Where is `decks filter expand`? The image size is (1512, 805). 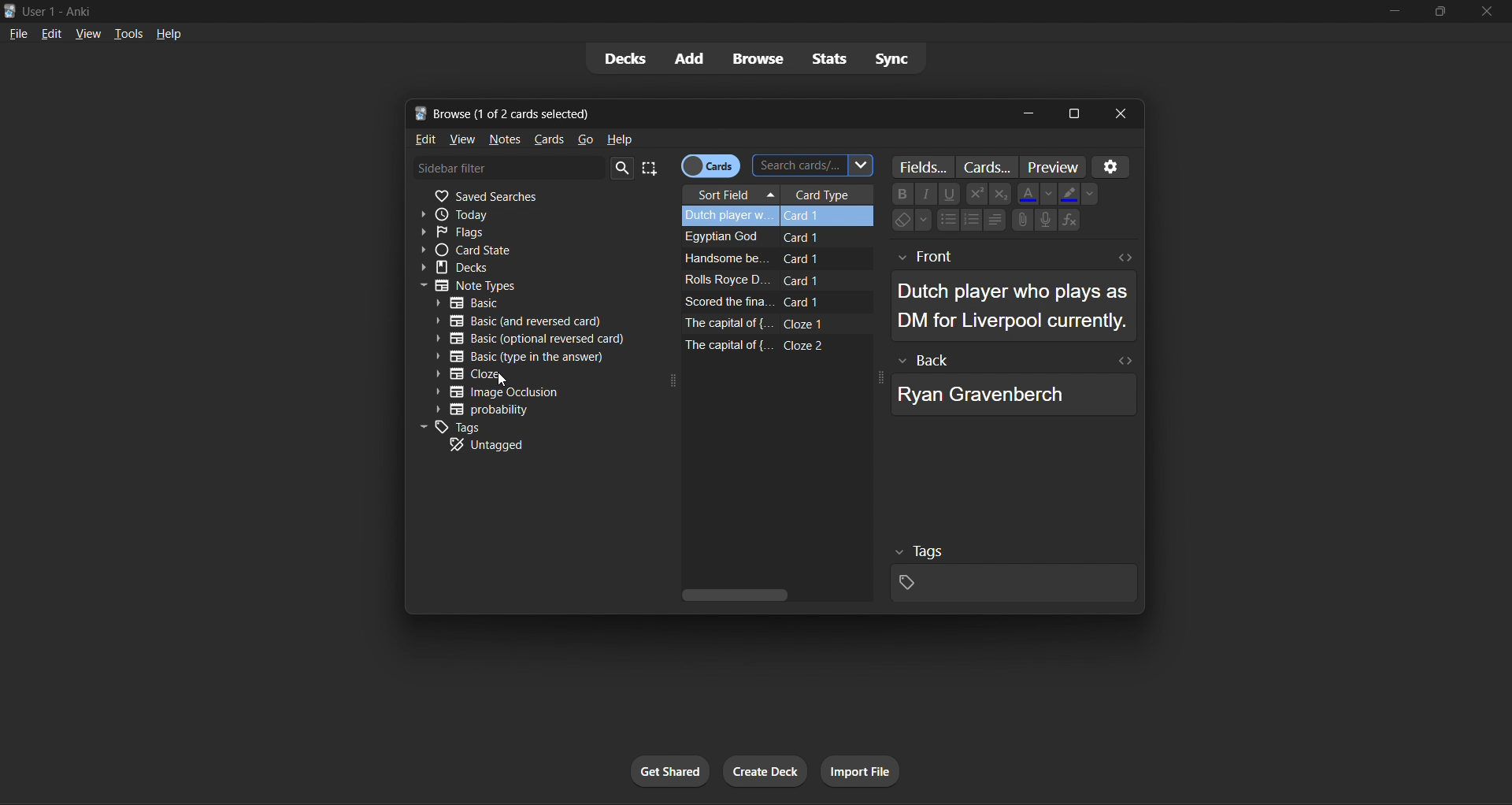
decks filter expand is located at coordinates (534, 268).